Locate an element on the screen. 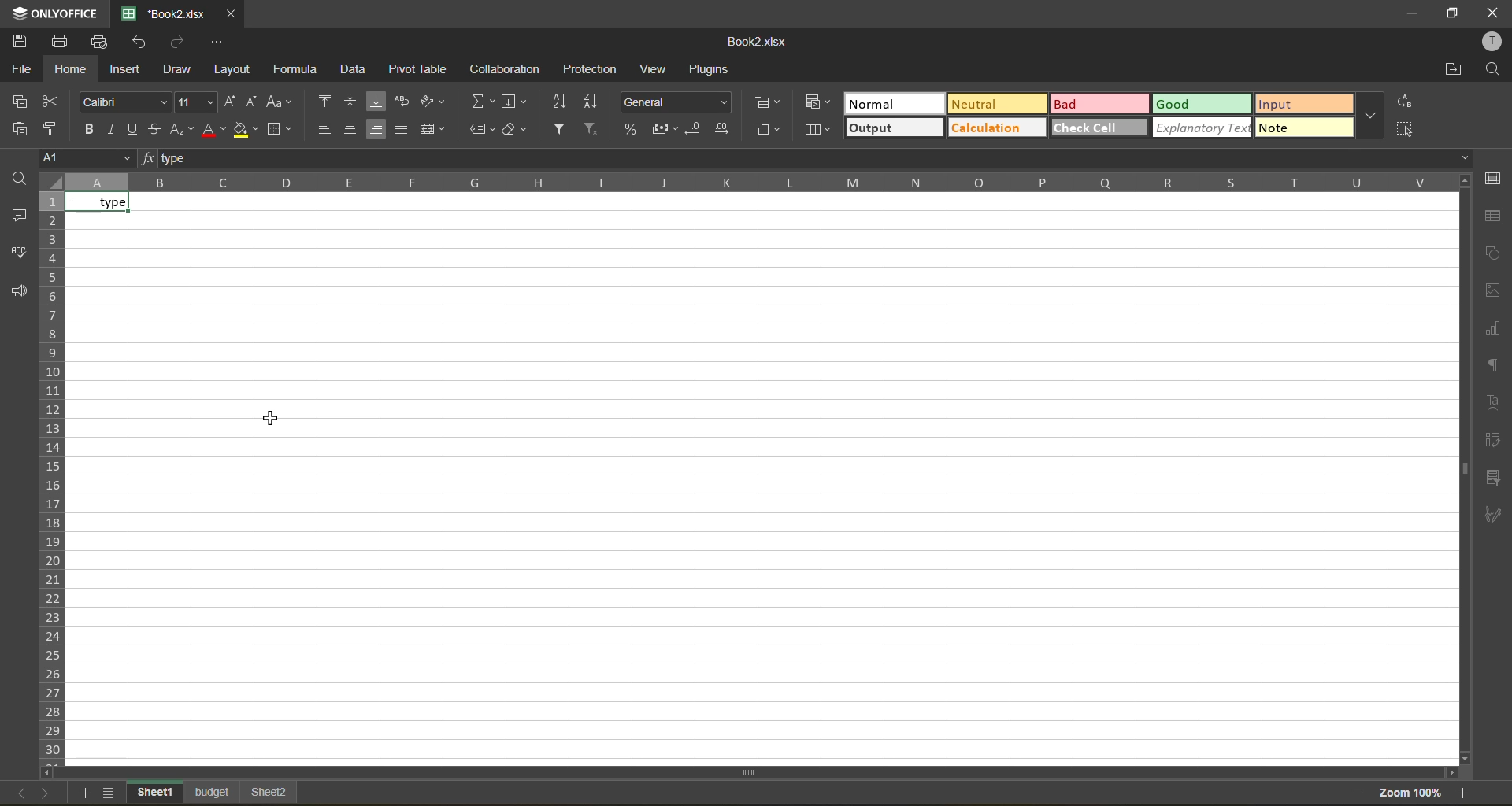 This screenshot has width=1512, height=806. underline is located at coordinates (135, 128).